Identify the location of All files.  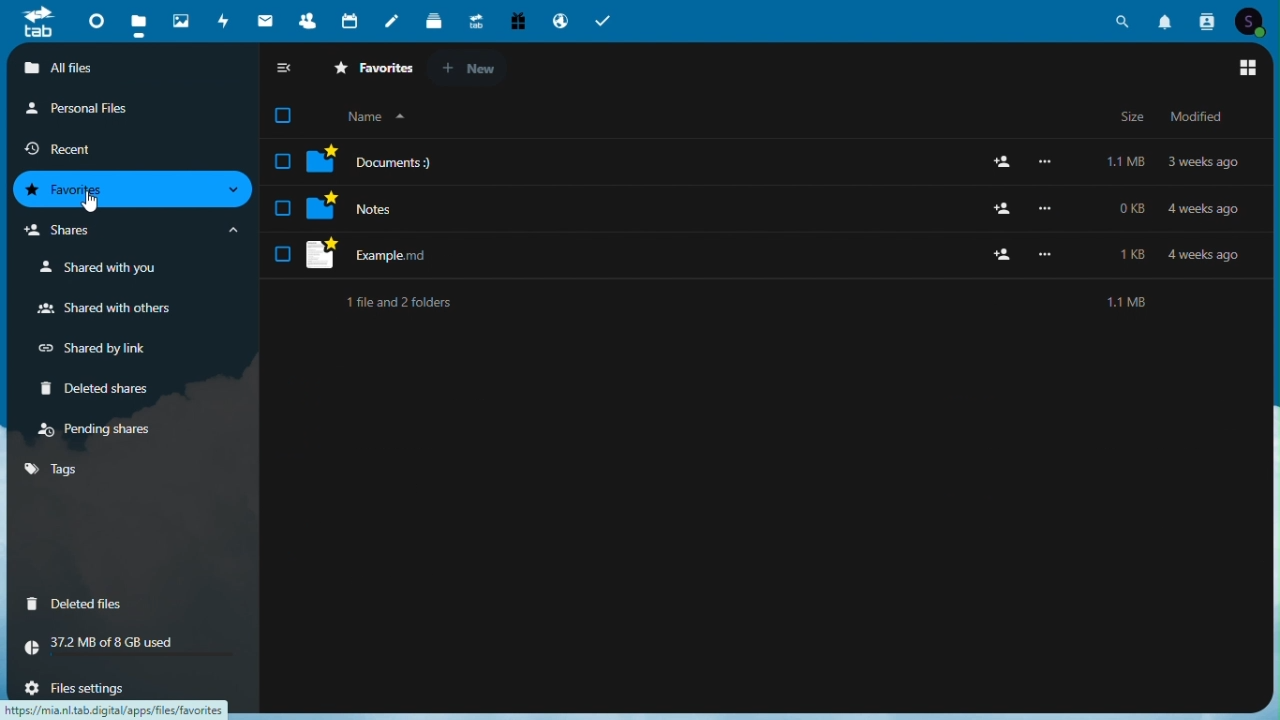
(131, 67).